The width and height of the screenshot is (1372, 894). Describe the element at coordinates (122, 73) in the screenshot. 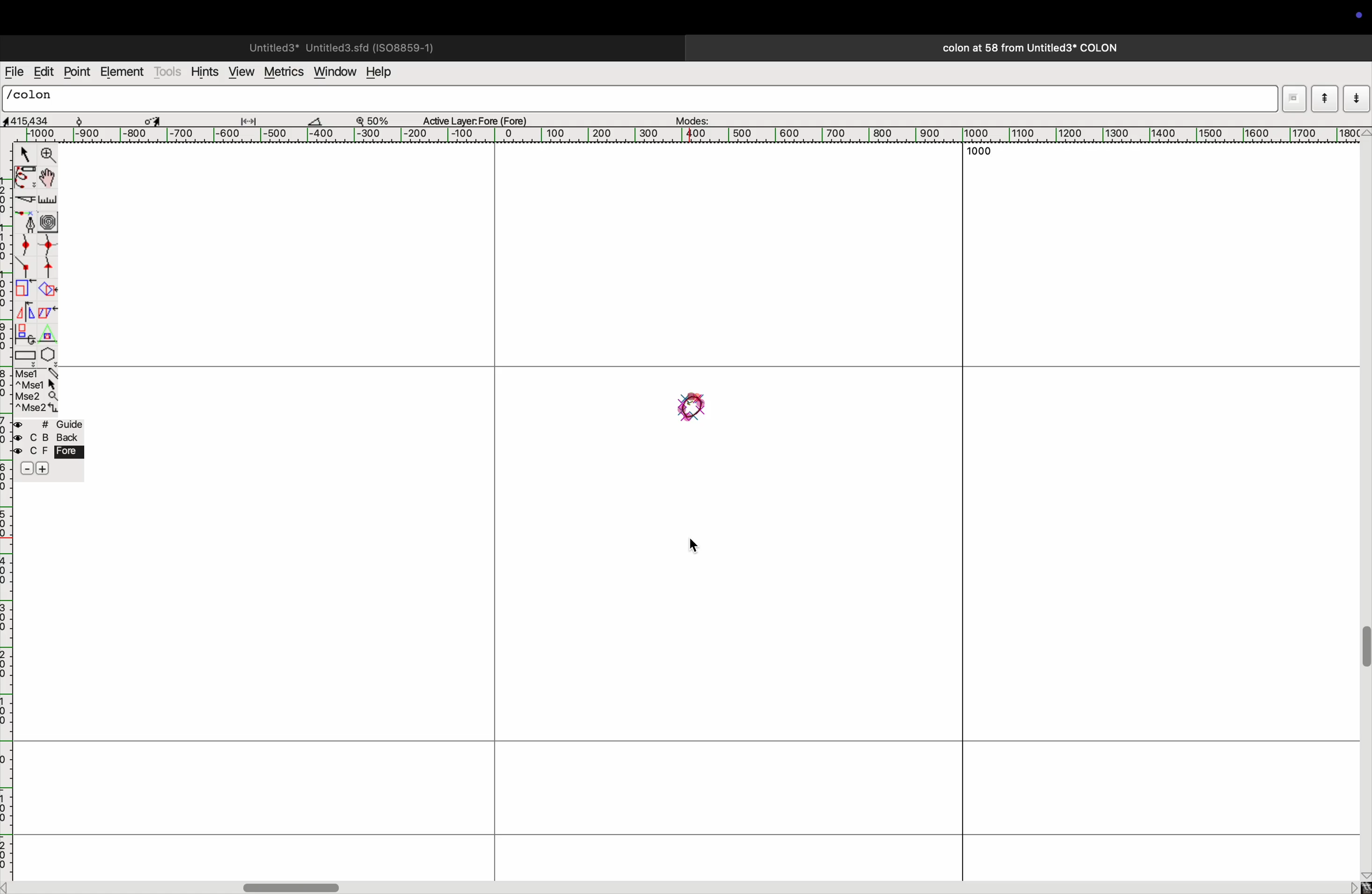

I see `element` at that location.